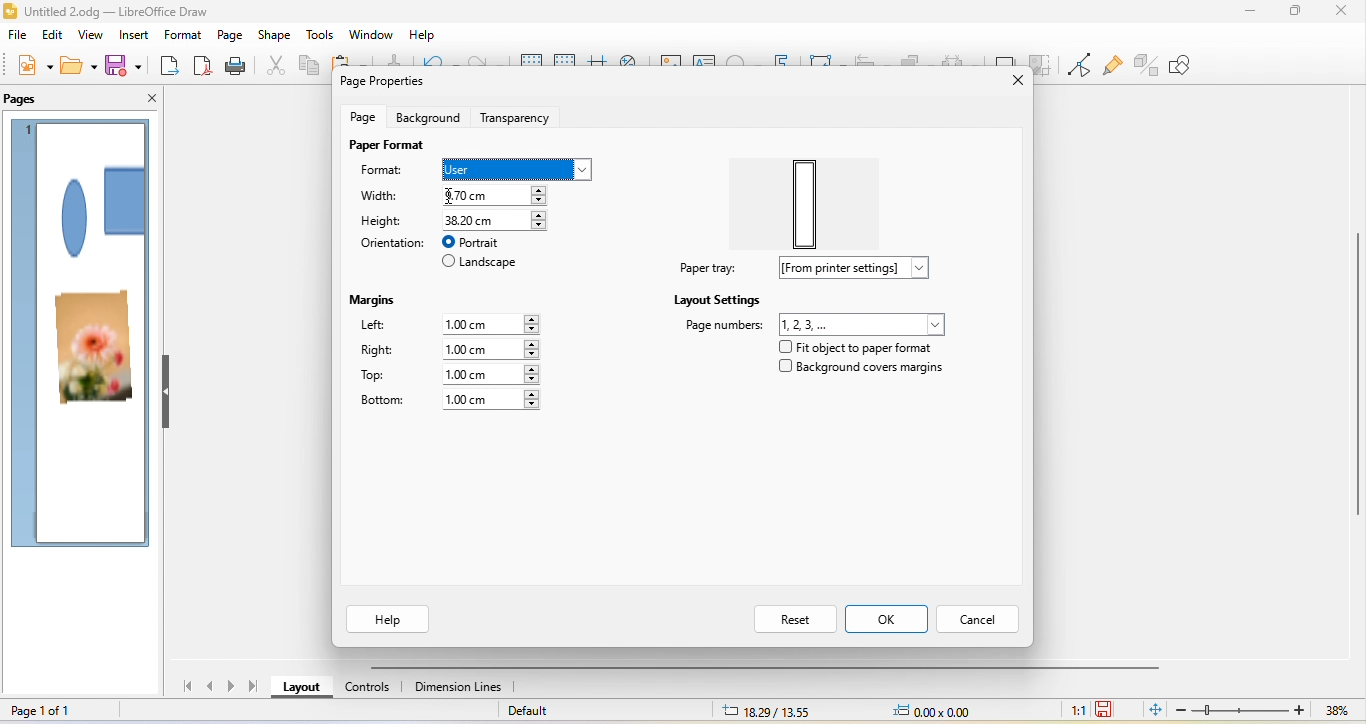  Describe the element at coordinates (386, 196) in the screenshot. I see `width` at that location.